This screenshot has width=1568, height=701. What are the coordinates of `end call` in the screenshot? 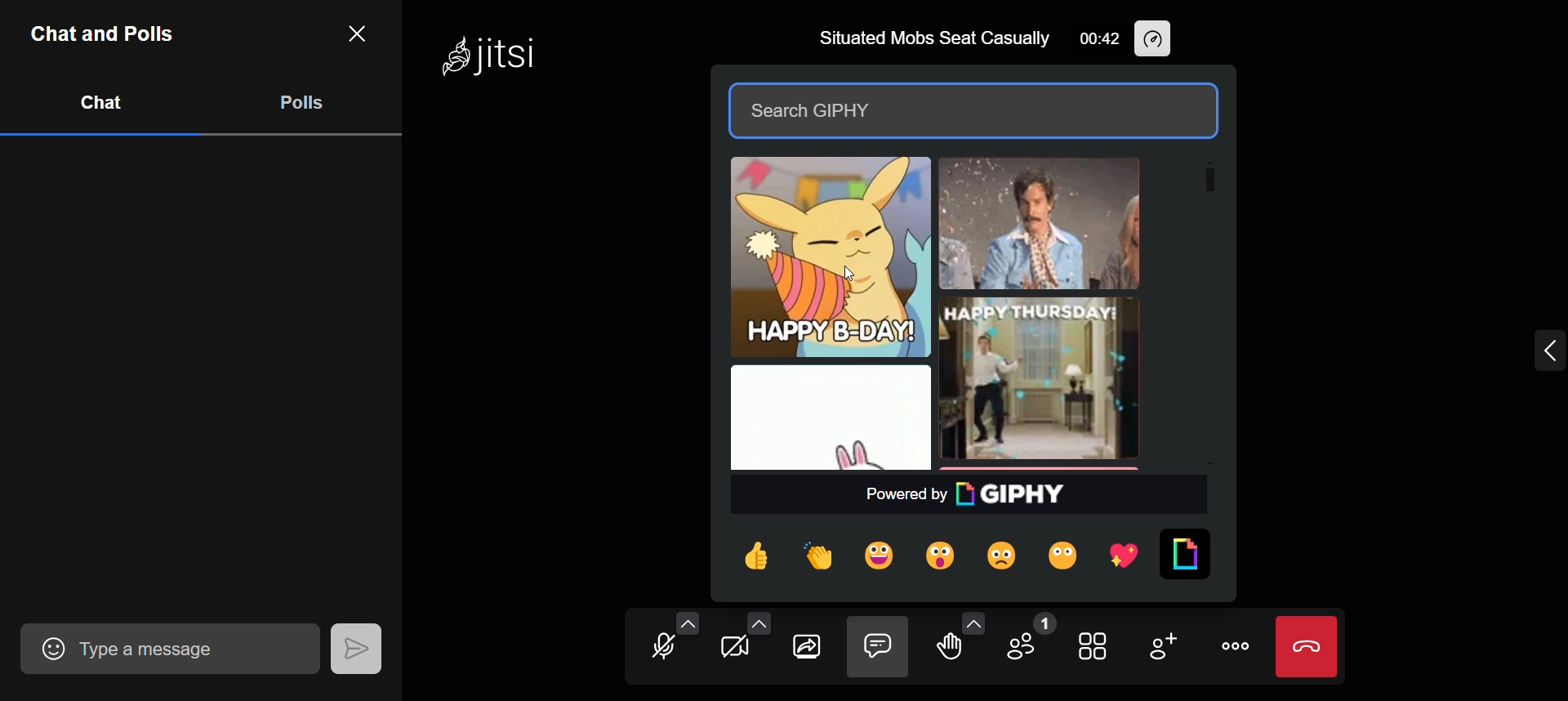 It's located at (1309, 647).